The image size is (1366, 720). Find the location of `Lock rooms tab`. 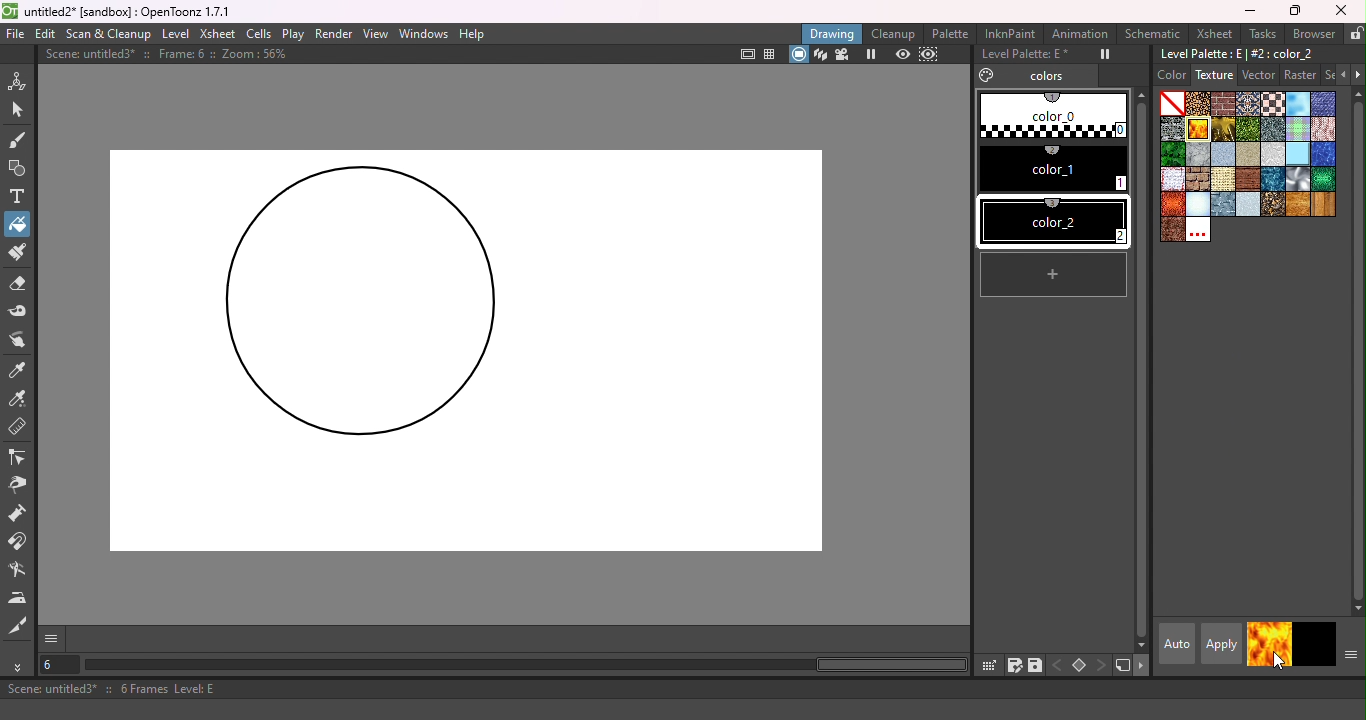

Lock rooms tab is located at coordinates (1355, 33).